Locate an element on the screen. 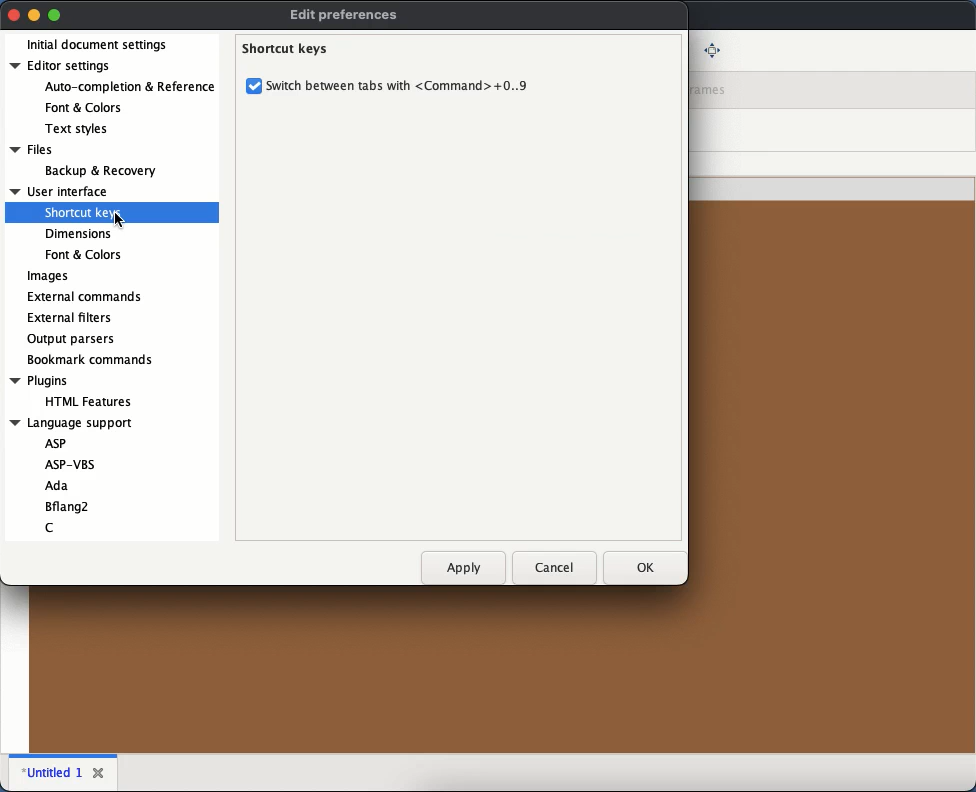 This screenshot has height=792, width=976. switch between tabs with  is located at coordinates (398, 86).